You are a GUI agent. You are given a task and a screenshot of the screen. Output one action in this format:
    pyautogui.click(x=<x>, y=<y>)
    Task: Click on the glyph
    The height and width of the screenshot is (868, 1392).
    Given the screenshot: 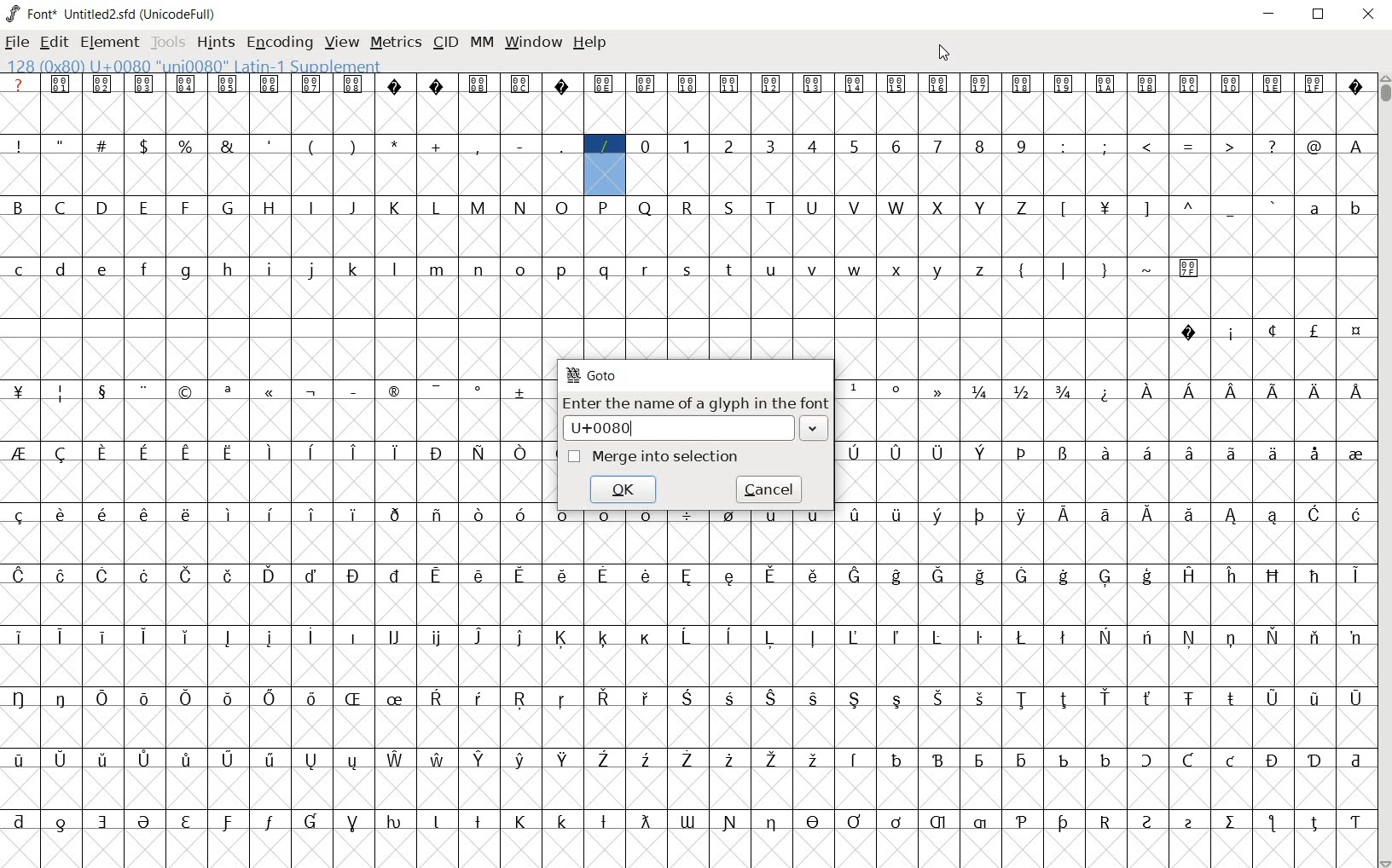 What is the action you would take?
    pyautogui.click(x=436, y=697)
    